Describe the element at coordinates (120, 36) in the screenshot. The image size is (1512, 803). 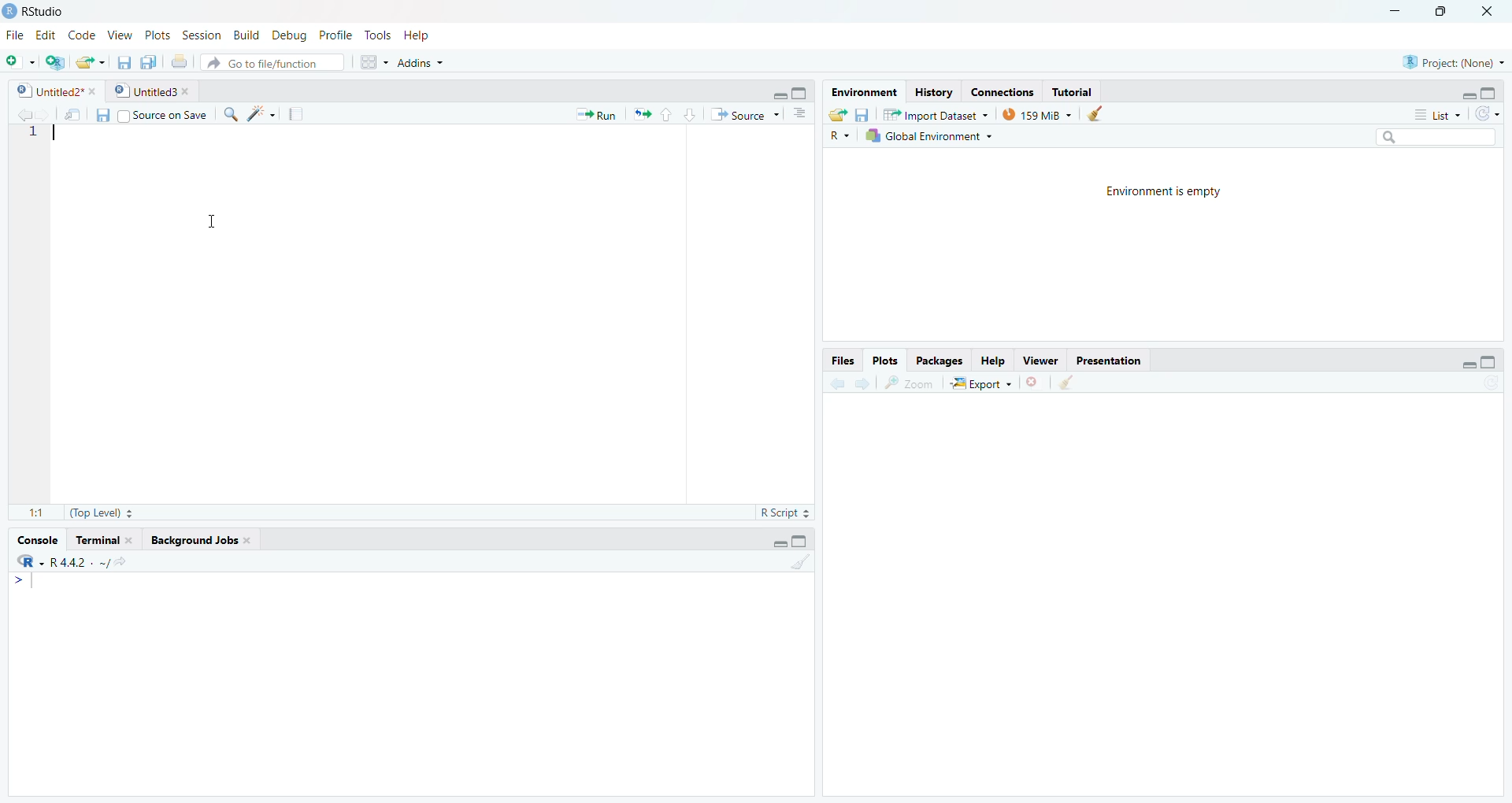
I see `View` at that location.